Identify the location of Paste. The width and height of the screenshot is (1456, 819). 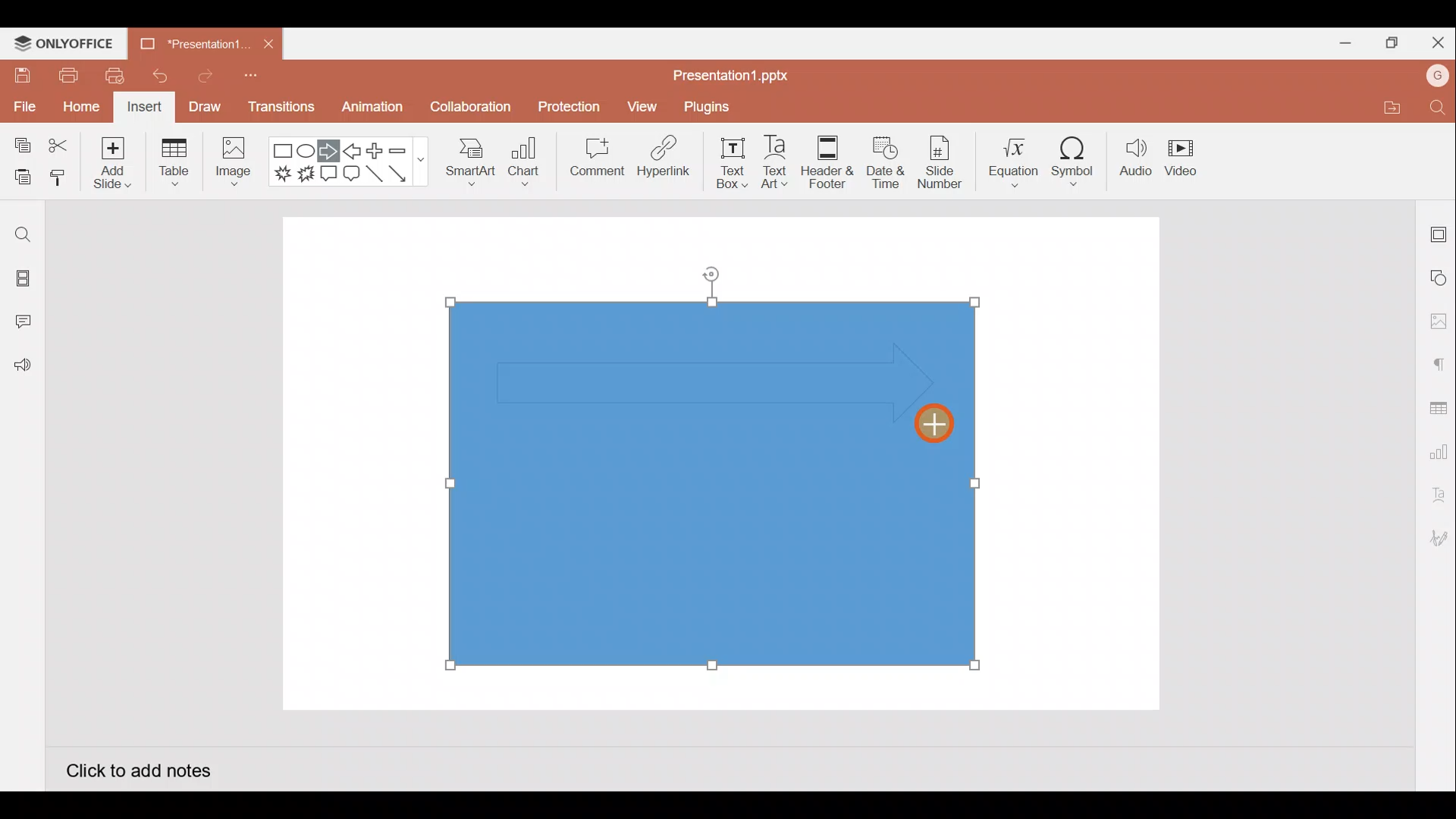
(19, 178).